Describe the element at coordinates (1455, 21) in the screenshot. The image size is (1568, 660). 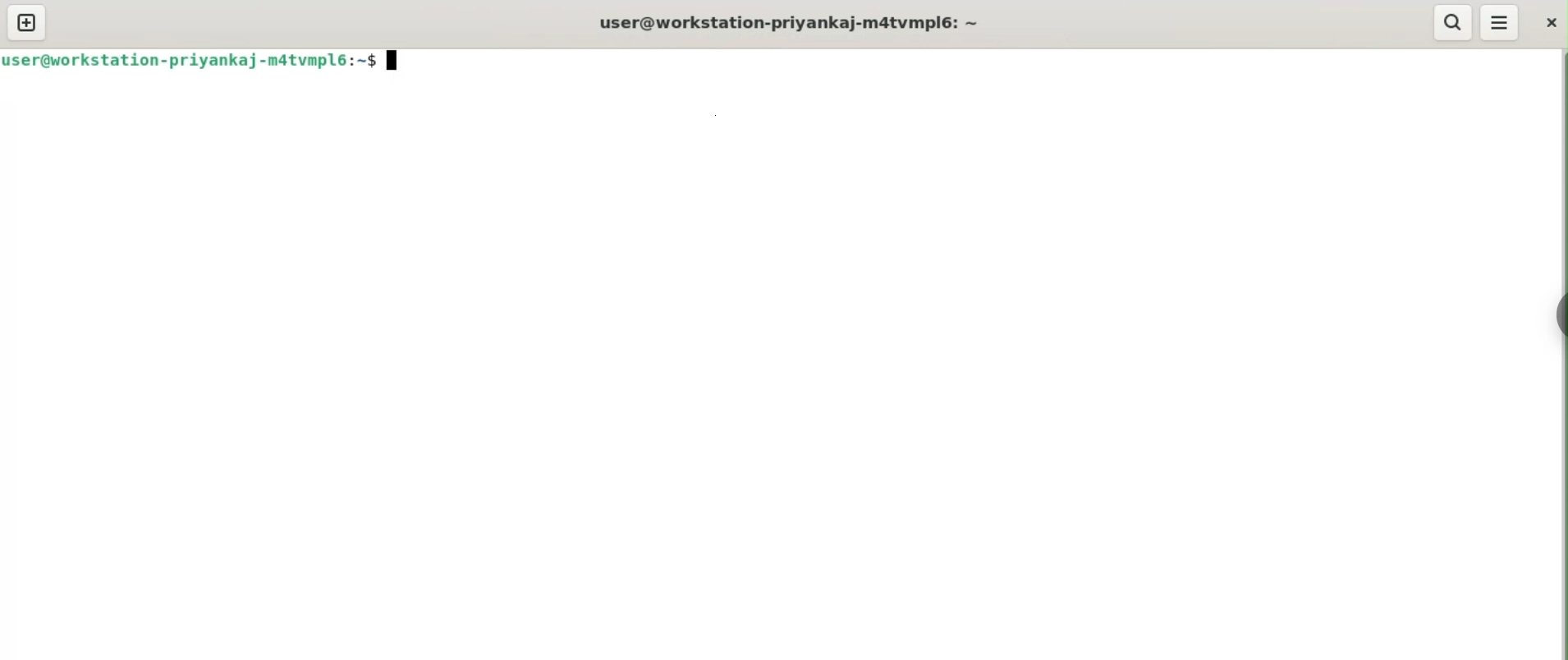
I see `search` at that location.